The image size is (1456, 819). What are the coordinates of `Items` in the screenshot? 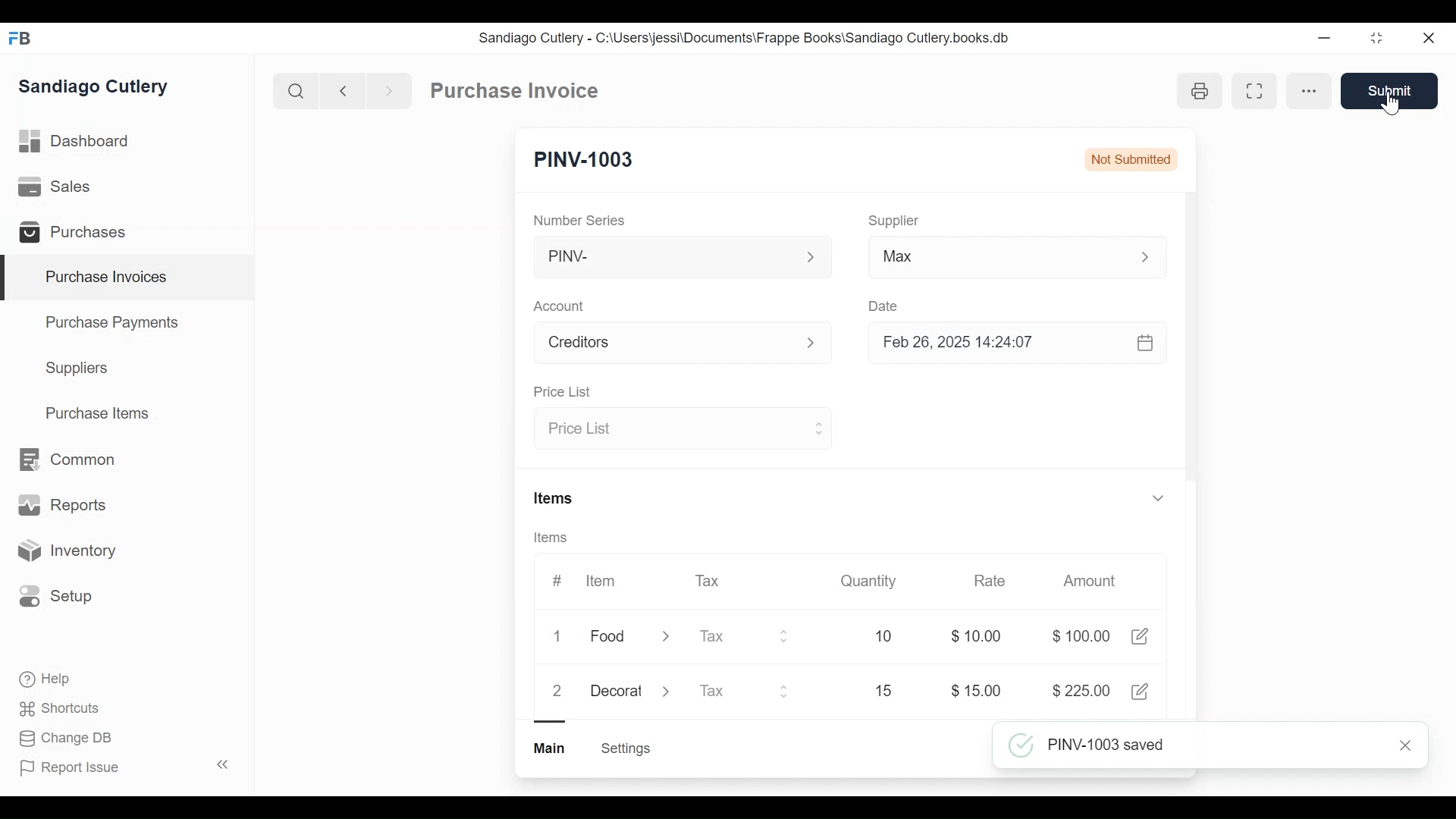 It's located at (555, 500).